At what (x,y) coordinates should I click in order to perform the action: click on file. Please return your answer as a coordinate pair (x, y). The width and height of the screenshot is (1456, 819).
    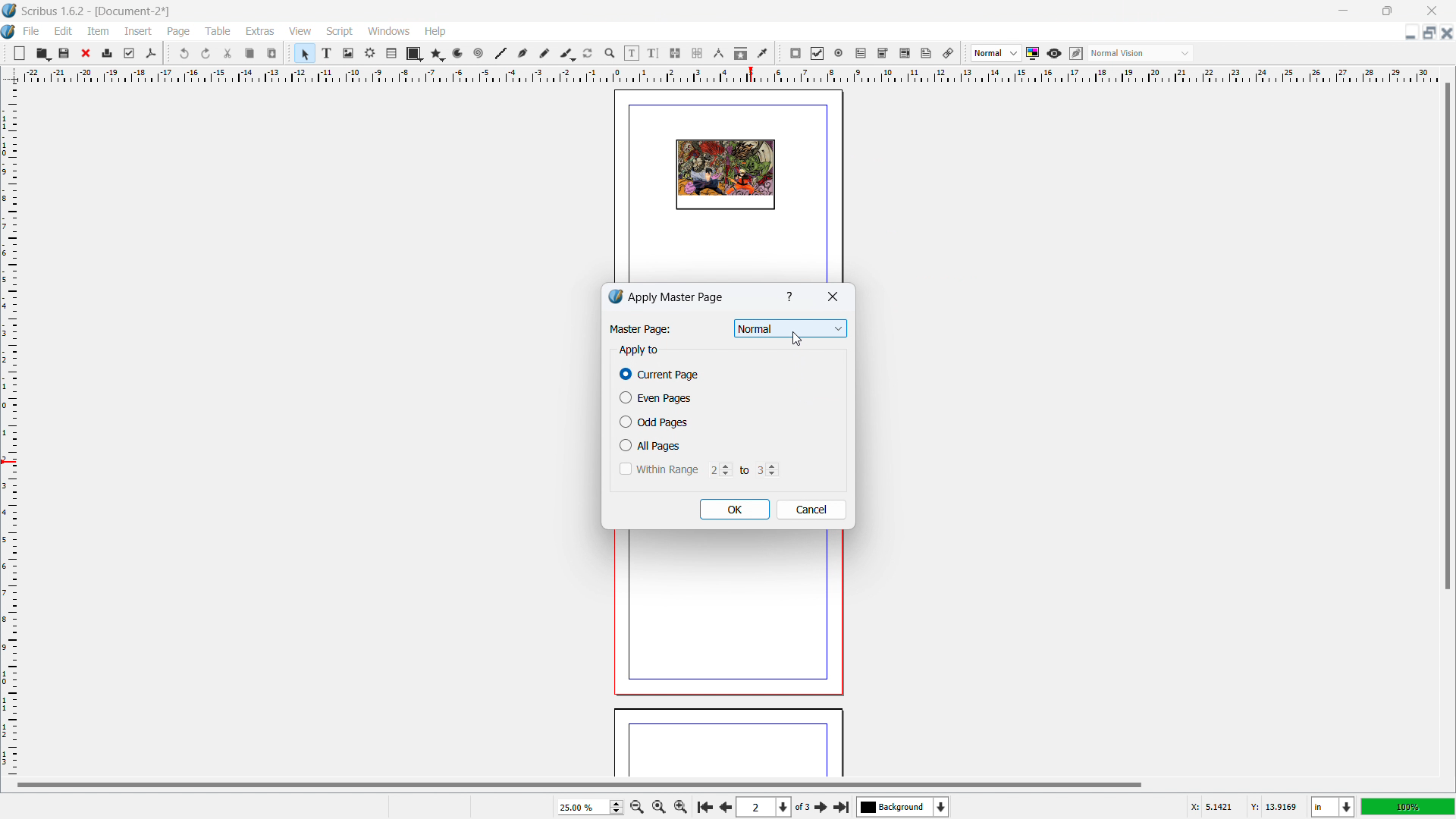
    Looking at the image, I should click on (30, 31).